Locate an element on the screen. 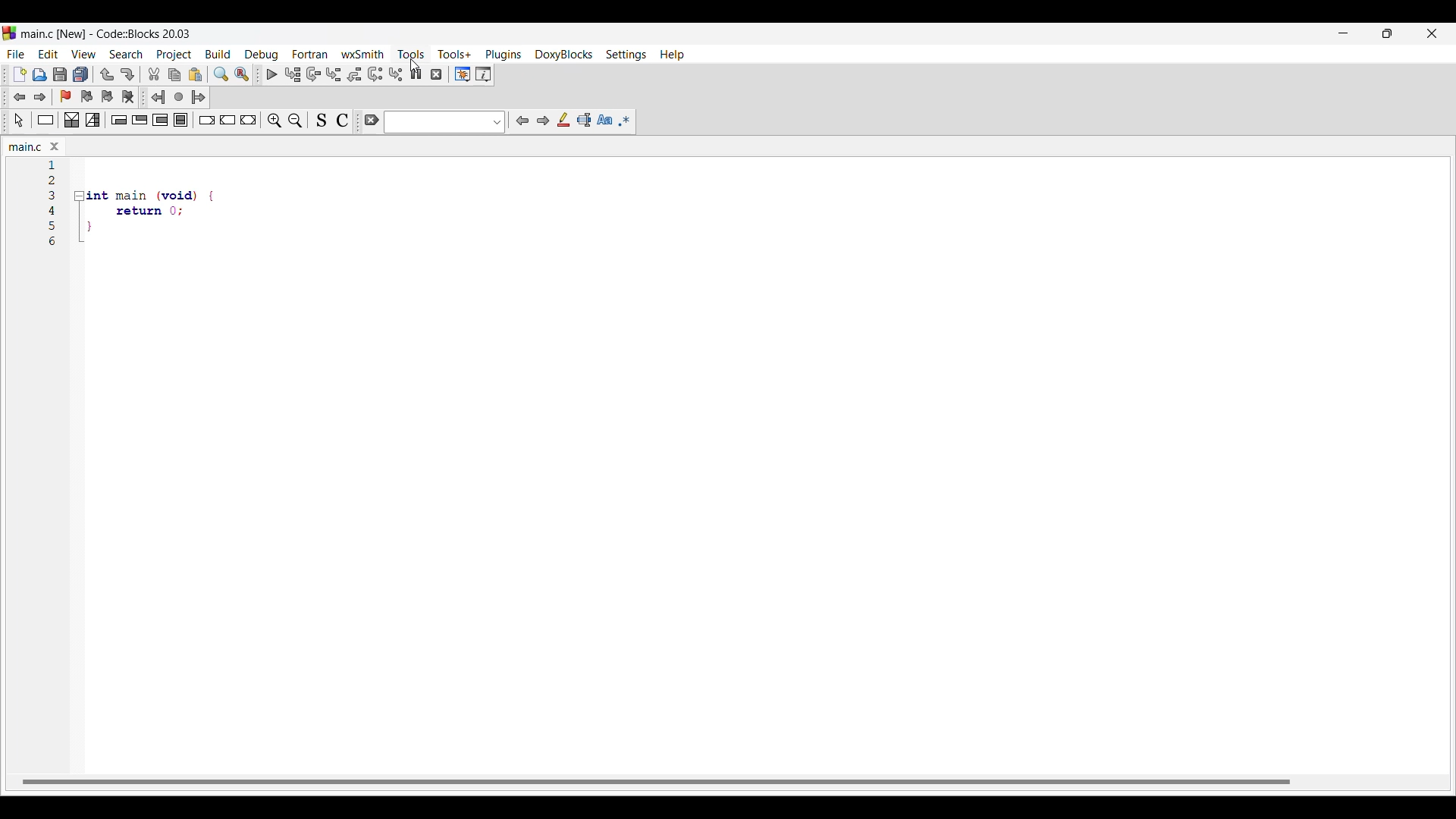 This screenshot has height=819, width=1456. Project menu is located at coordinates (174, 55).